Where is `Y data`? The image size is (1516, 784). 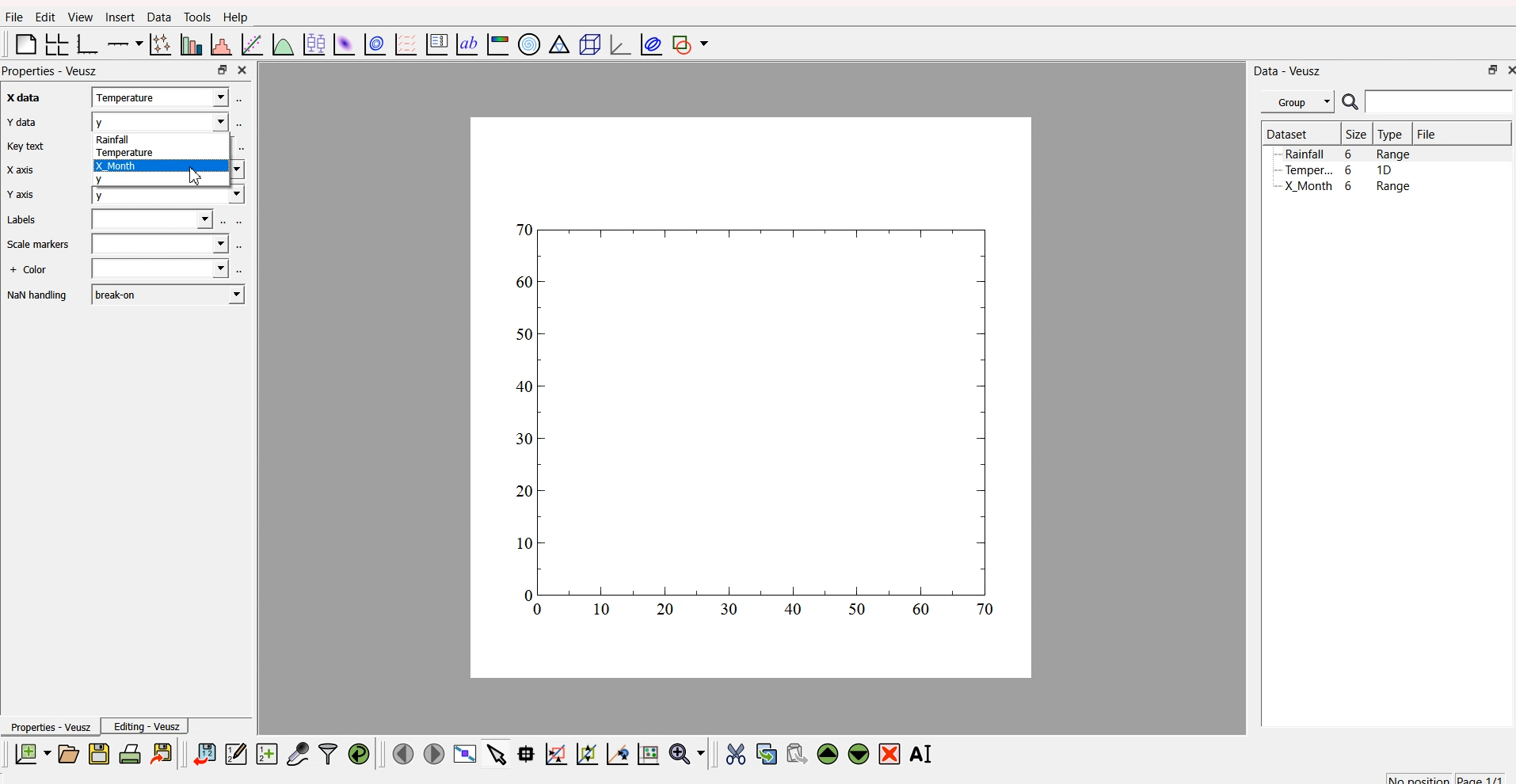
Y data is located at coordinates (21, 124).